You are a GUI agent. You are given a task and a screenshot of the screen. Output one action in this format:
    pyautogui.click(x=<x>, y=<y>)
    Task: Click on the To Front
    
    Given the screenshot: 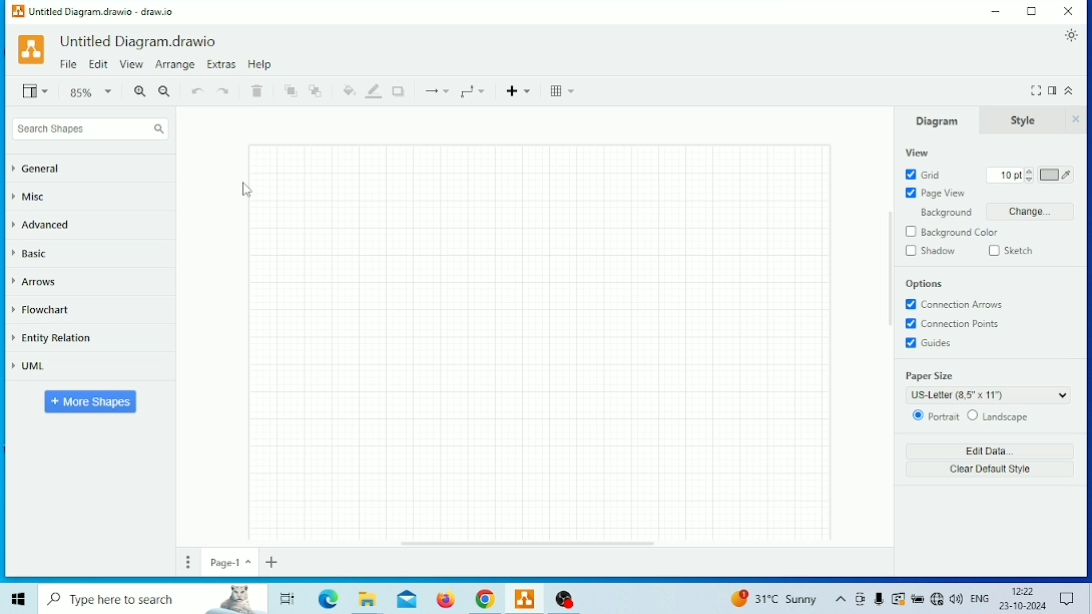 What is the action you would take?
    pyautogui.click(x=291, y=91)
    